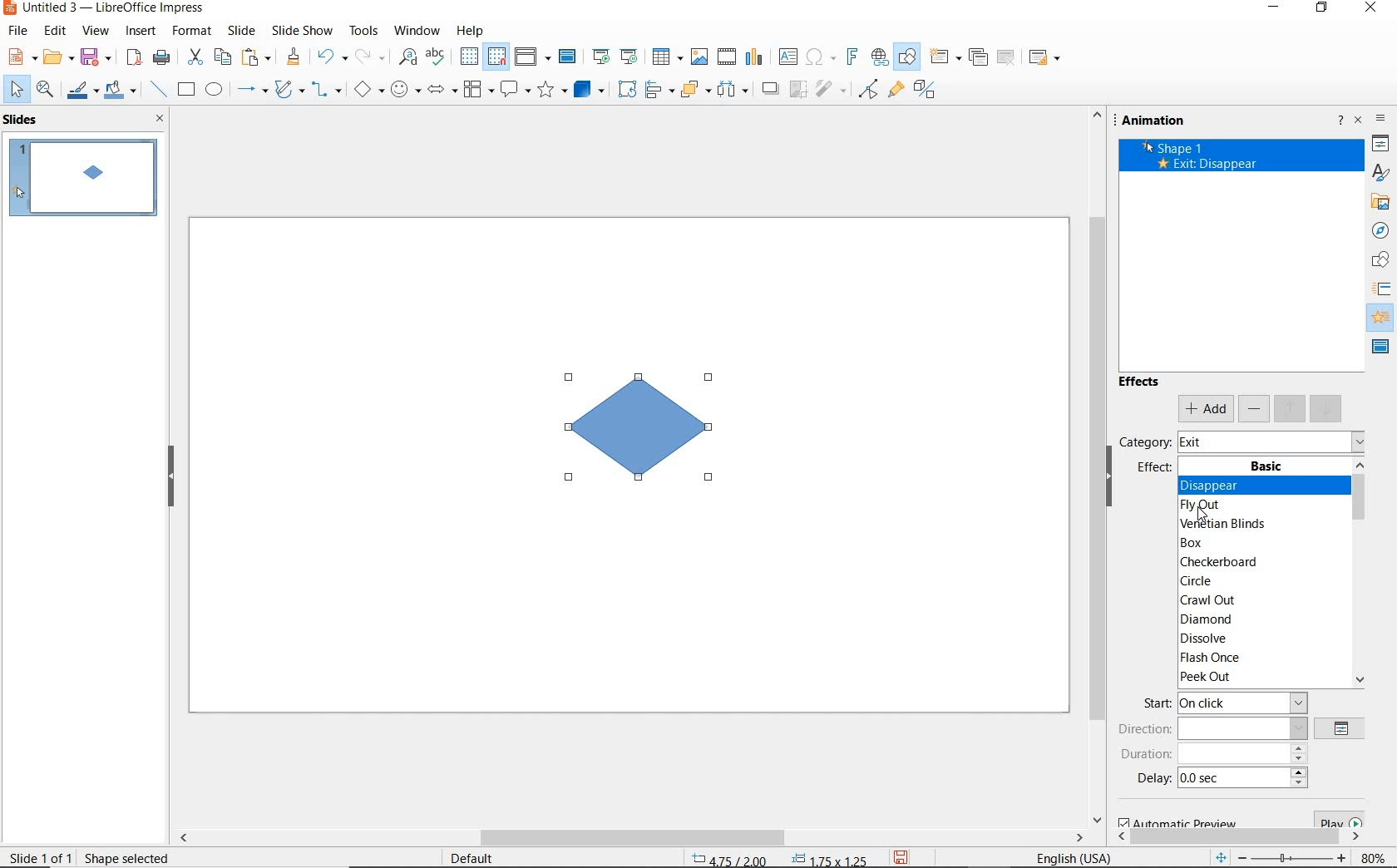 The height and width of the screenshot is (868, 1397). I want to click on display grid, so click(469, 57).